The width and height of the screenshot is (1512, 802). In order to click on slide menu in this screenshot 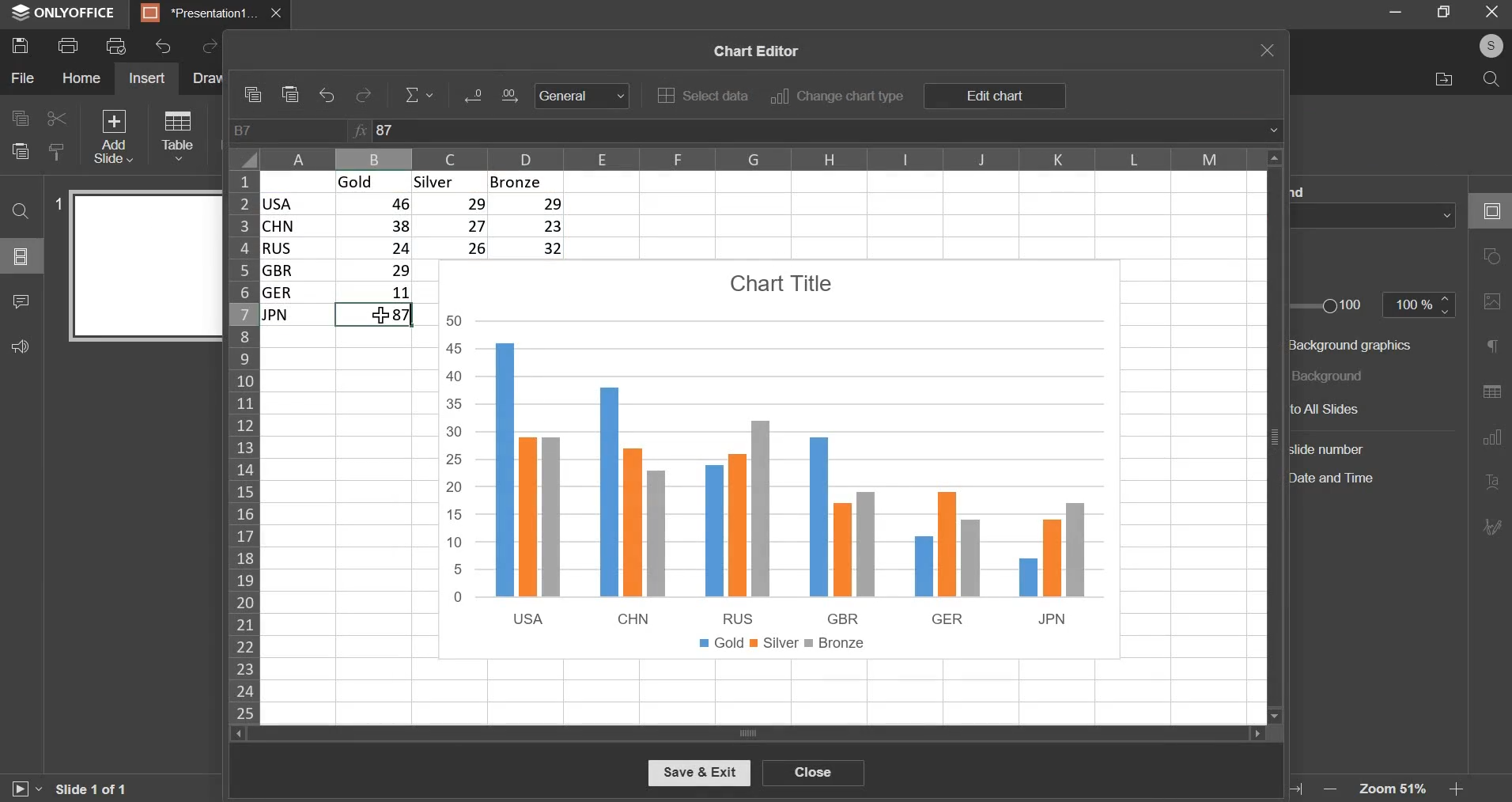, I will do `click(20, 256)`.